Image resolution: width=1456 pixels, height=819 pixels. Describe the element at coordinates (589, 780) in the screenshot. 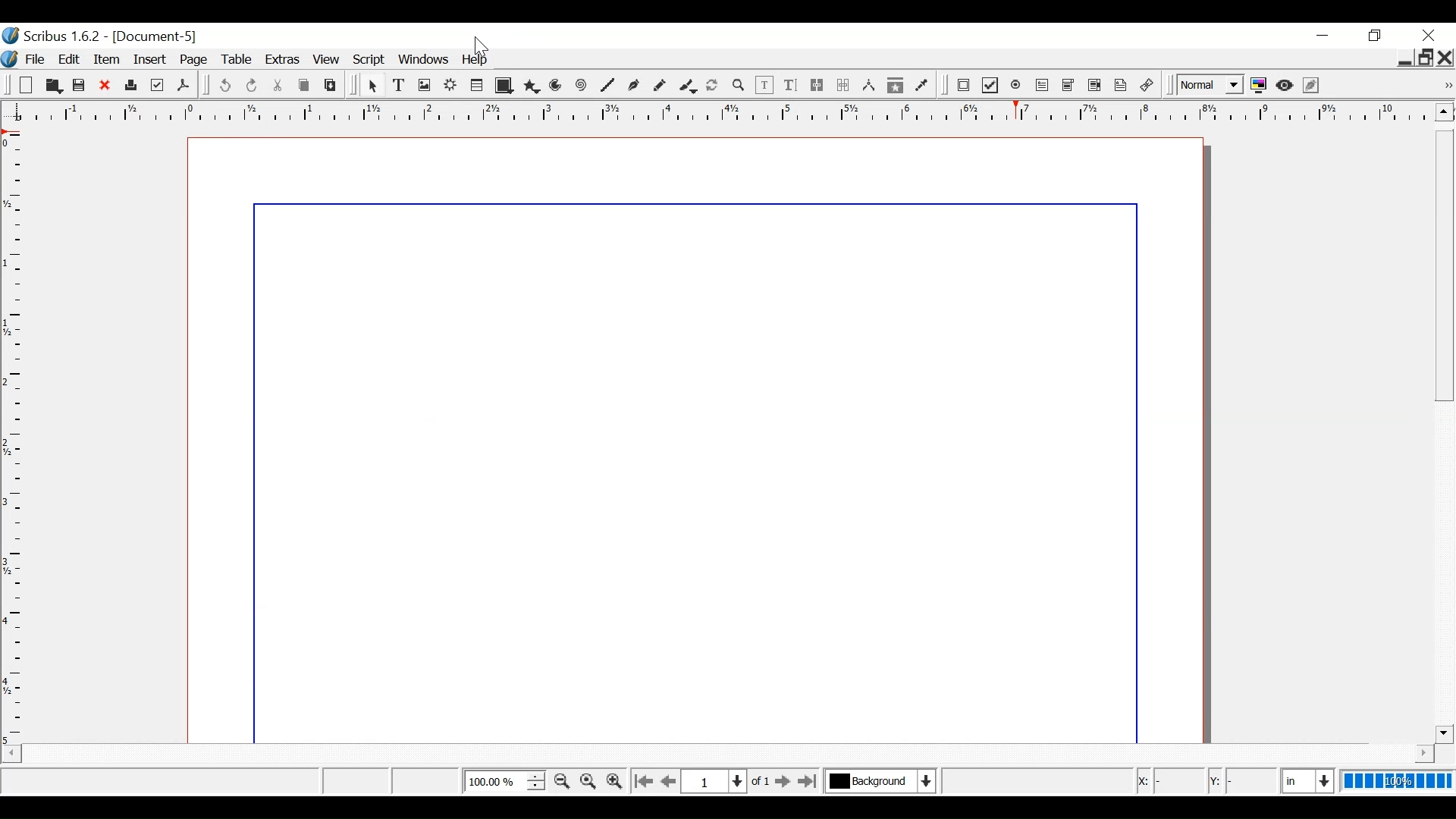

I see `Reset Zoom` at that location.